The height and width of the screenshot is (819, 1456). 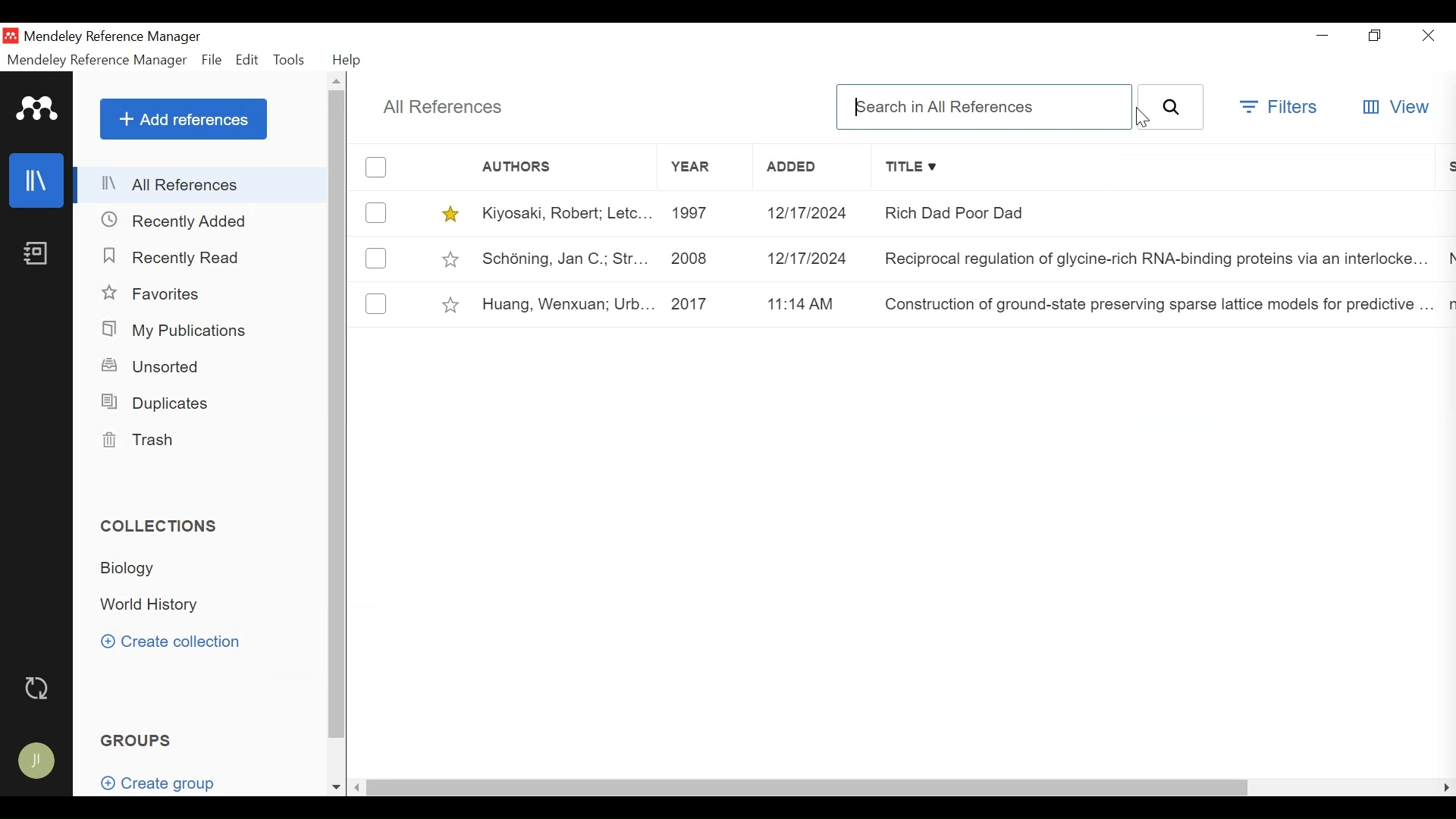 What do you see at coordinates (138, 571) in the screenshot?
I see `Collection` at bounding box center [138, 571].